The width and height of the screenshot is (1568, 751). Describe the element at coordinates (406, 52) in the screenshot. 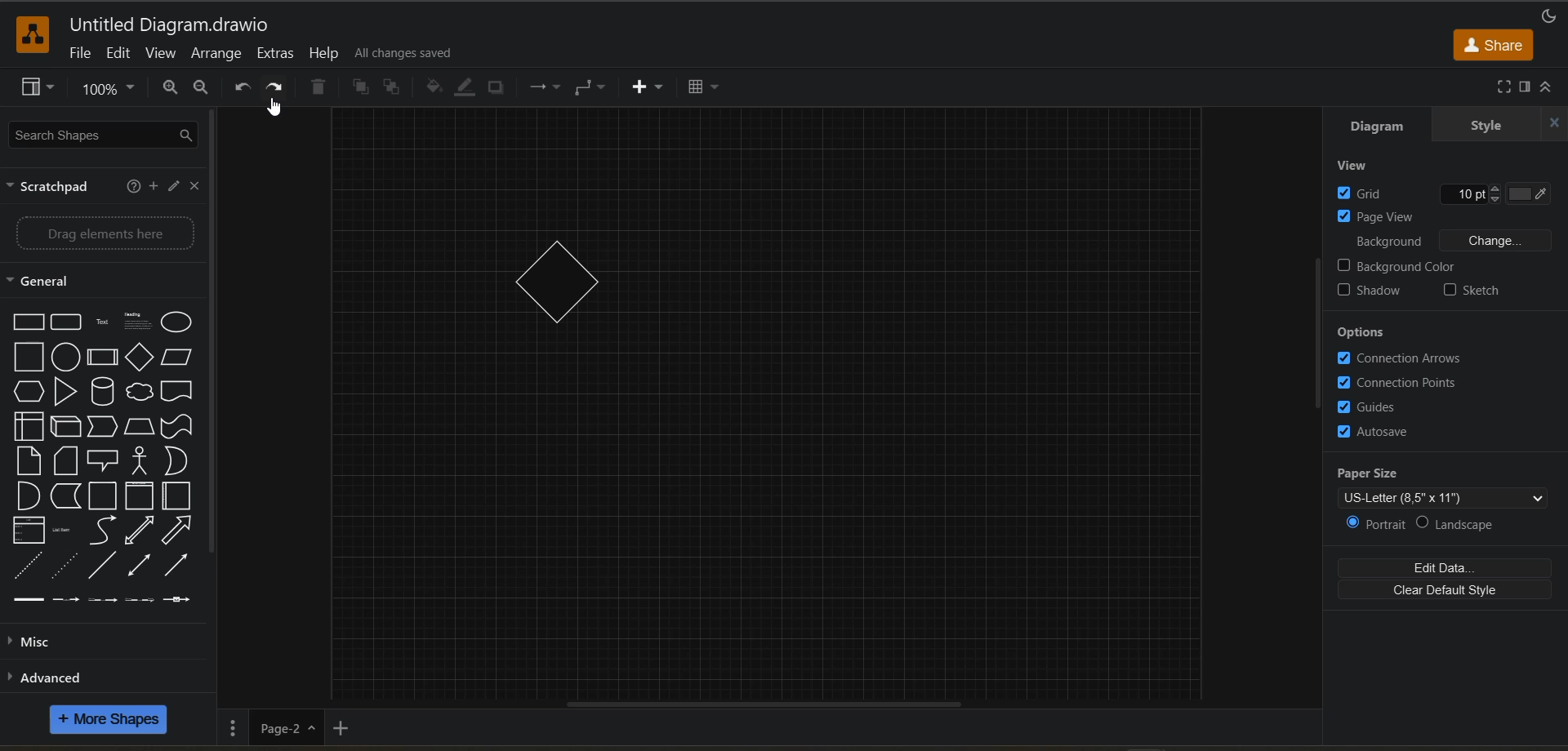

I see `all changes saved` at that location.